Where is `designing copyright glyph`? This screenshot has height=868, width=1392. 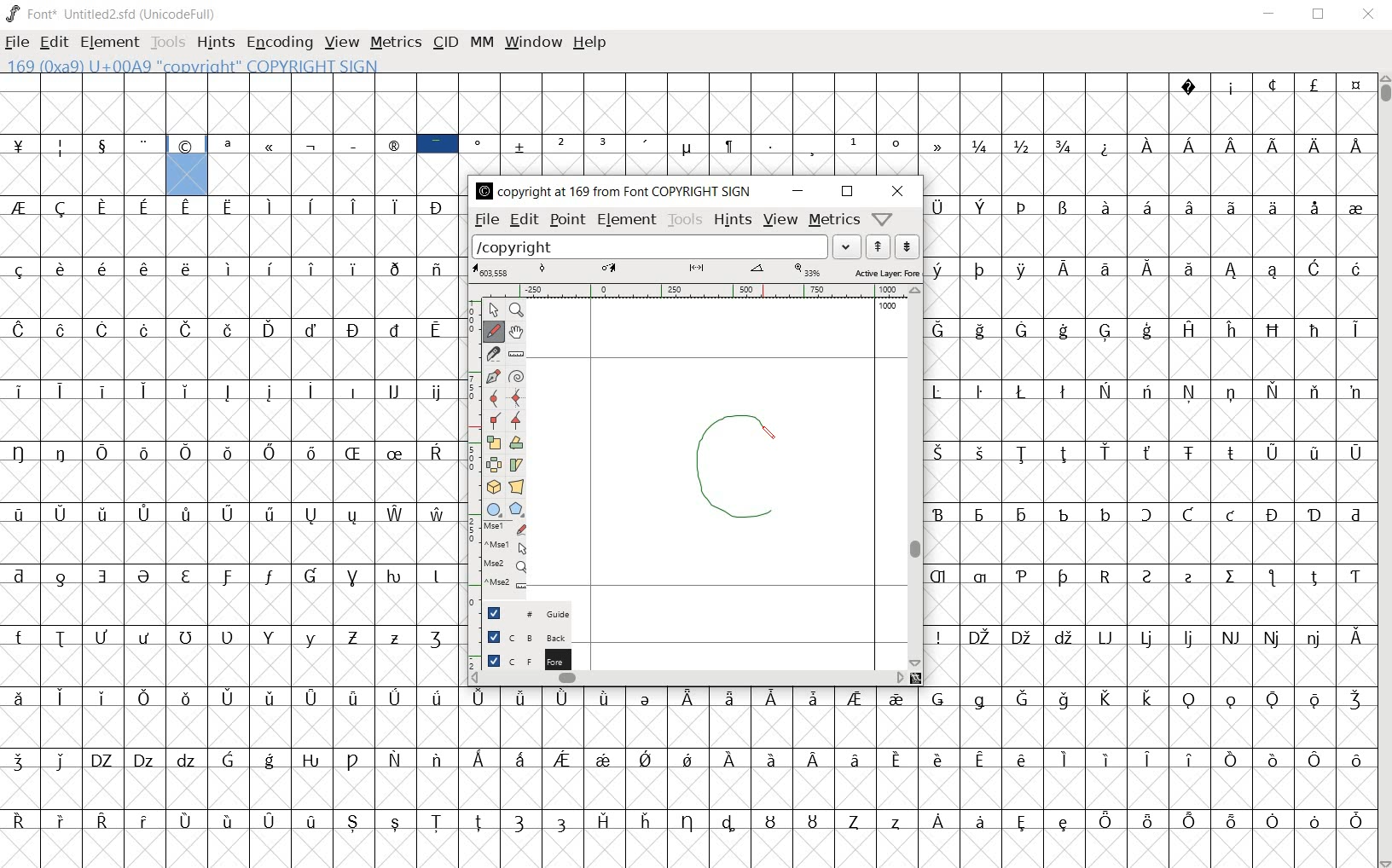 designing copyright glyph is located at coordinates (745, 462).